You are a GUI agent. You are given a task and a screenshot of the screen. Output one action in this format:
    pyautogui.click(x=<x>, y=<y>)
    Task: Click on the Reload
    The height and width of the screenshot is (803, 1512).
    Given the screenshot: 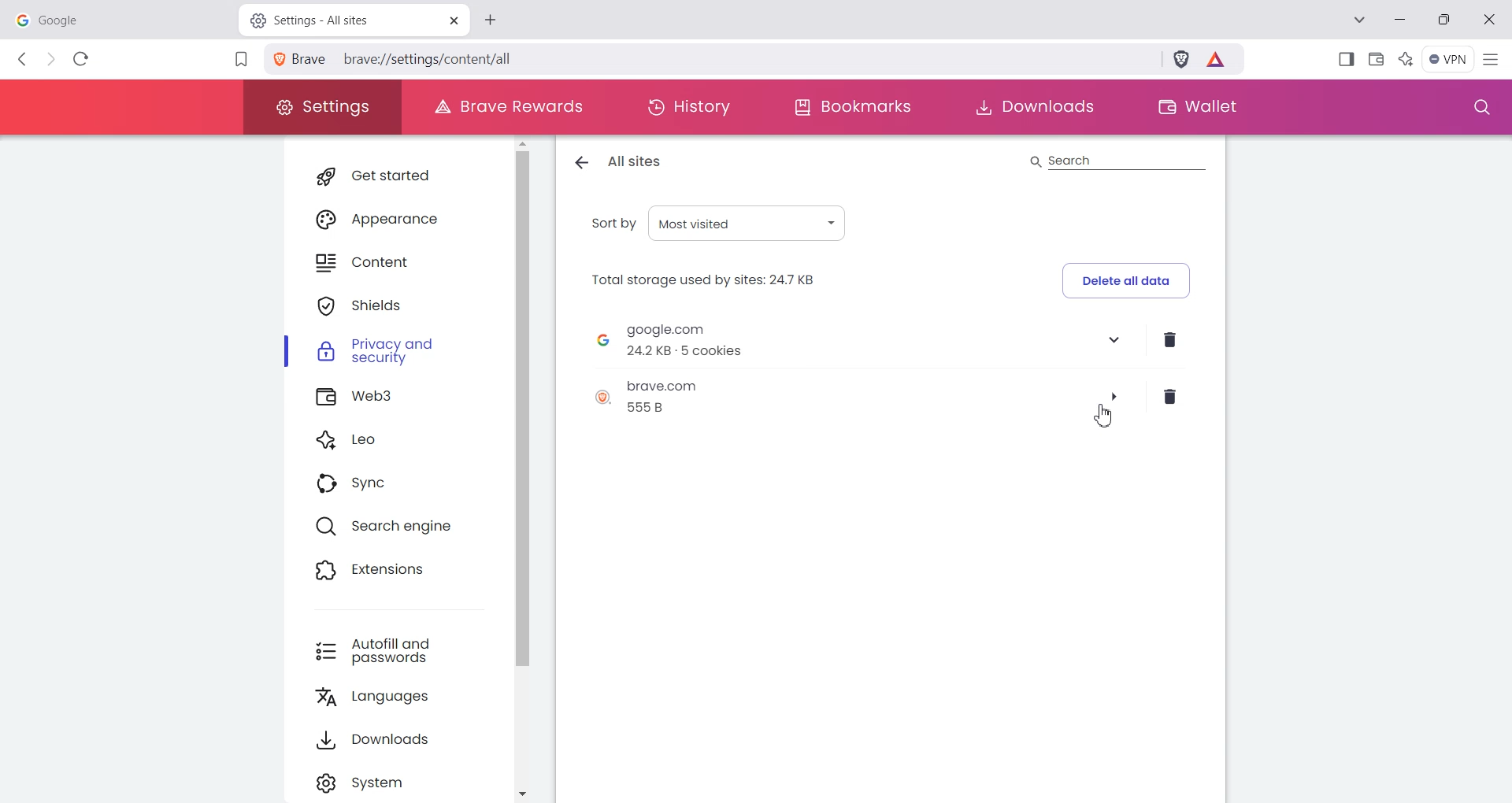 What is the action you would take?
    pyautogui.click(x=81, y=58)
    